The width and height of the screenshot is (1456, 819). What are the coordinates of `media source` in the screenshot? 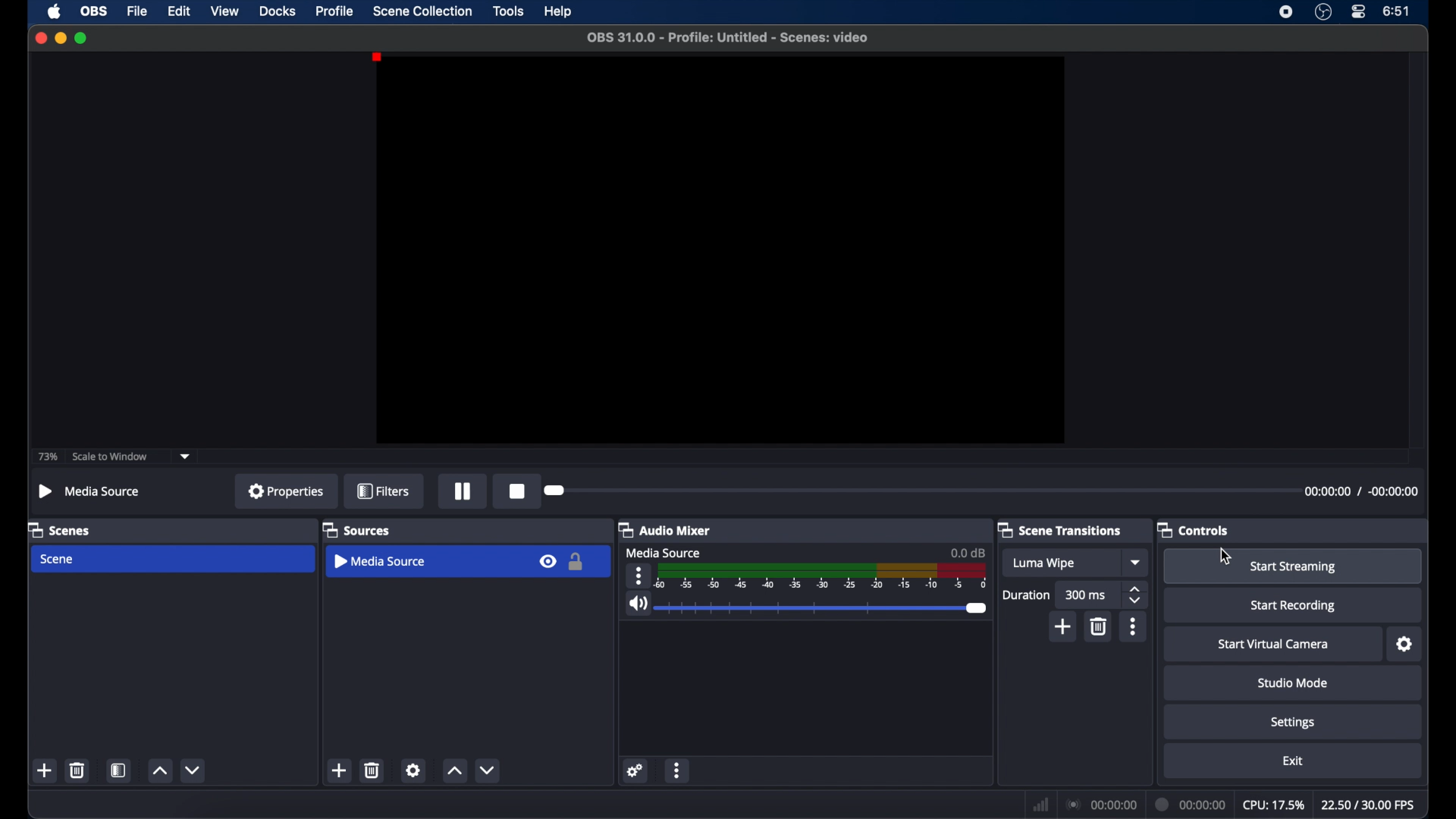 It's located at (382, 561).